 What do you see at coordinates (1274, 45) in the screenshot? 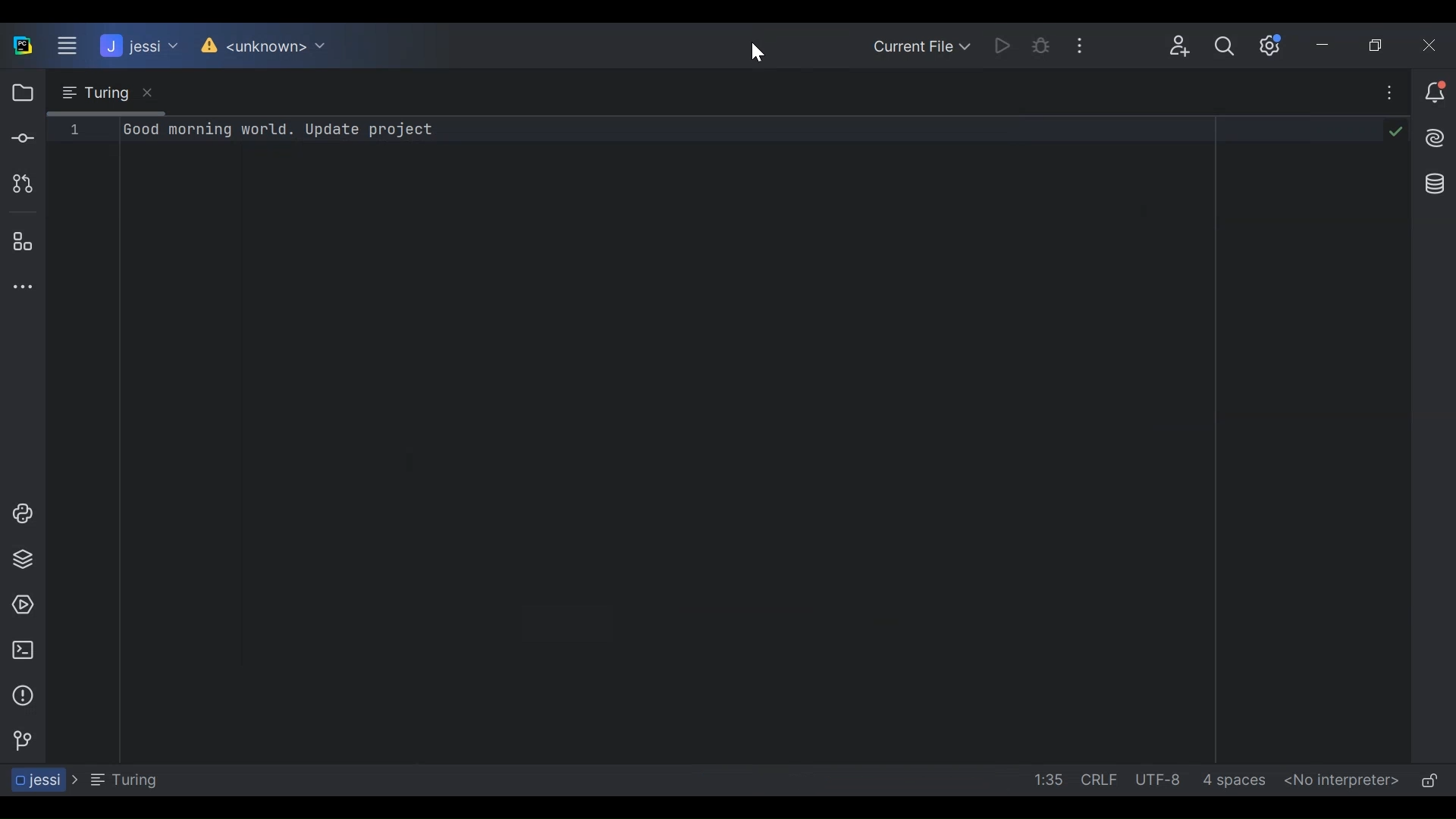
I see `Settings` at bounding box center [1274, 45].